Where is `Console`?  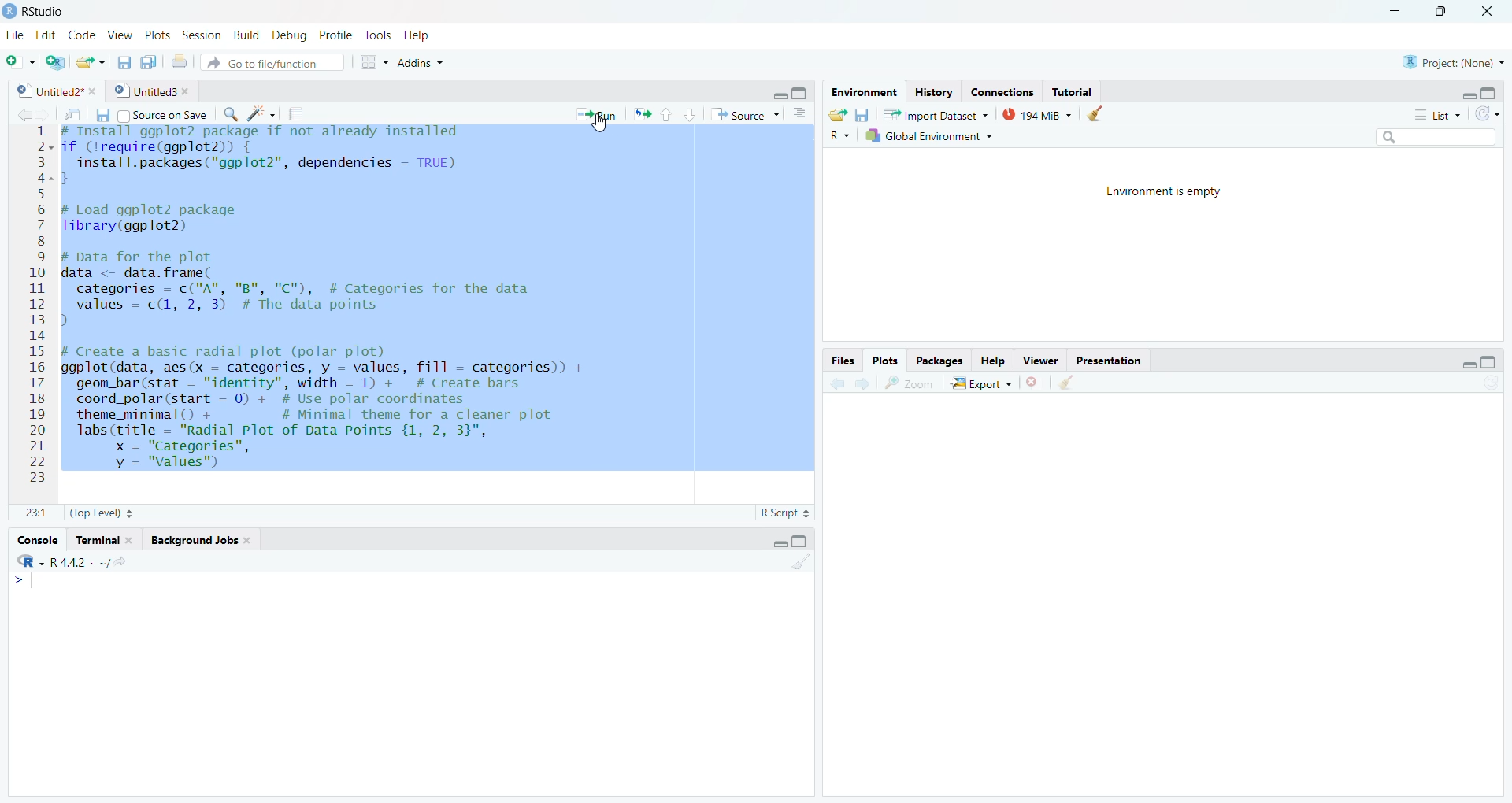
Console is located at coordinates (33, 541).